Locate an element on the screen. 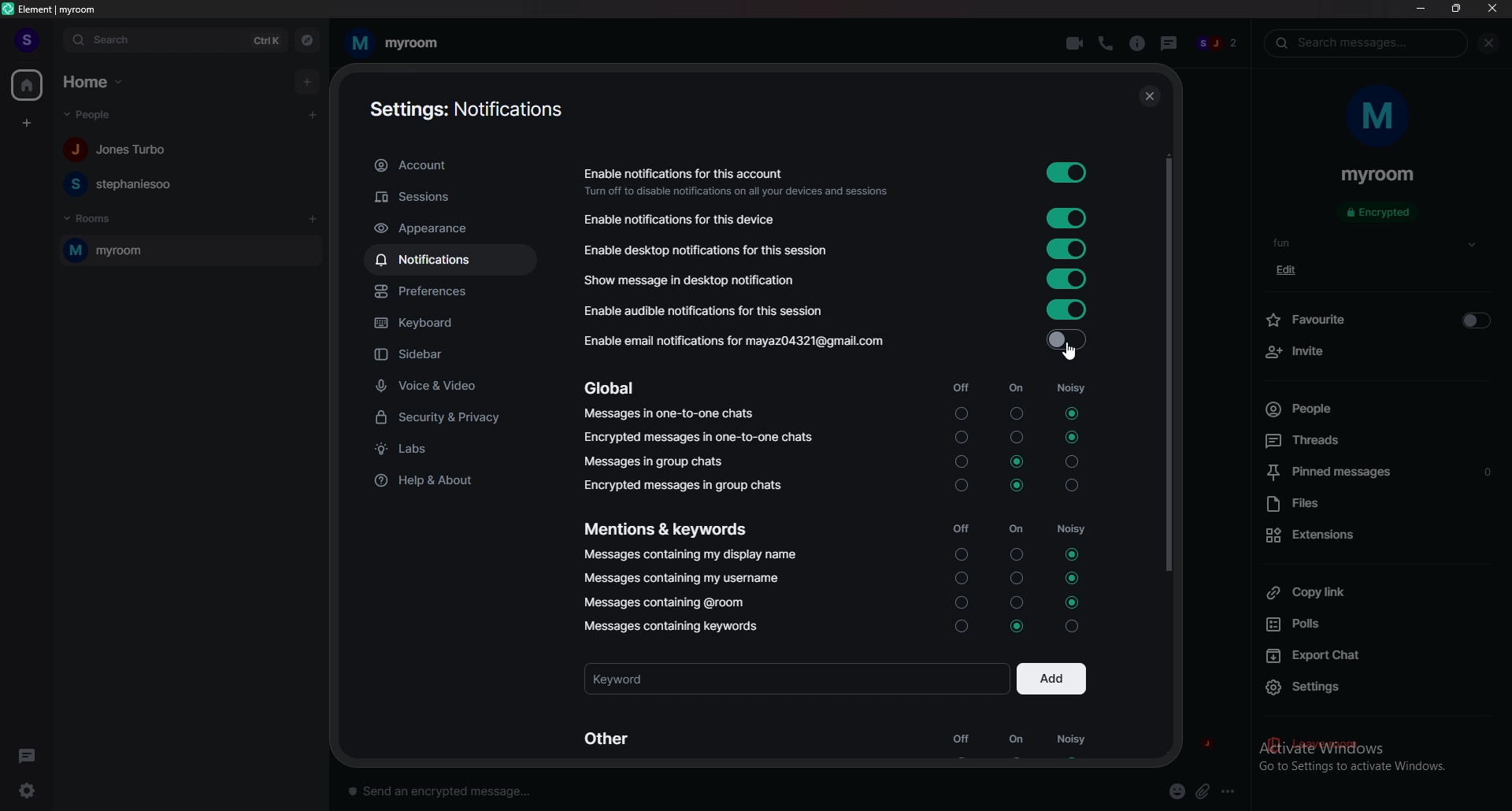 The height and width of the screenshot is (811, 1512). people is located at coordinates (95, 115).